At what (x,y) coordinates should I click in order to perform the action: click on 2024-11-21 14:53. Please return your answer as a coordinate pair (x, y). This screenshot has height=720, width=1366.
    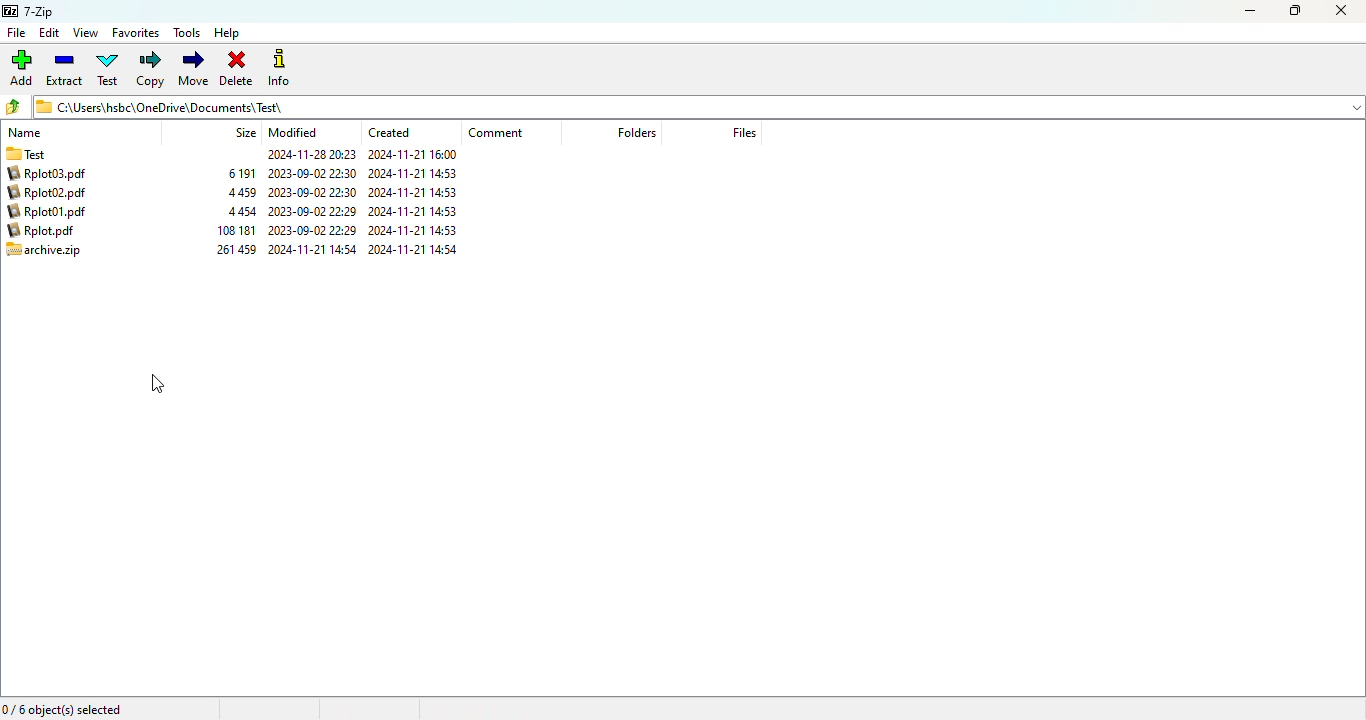
    Looking at the image, I should click on (422, 192).